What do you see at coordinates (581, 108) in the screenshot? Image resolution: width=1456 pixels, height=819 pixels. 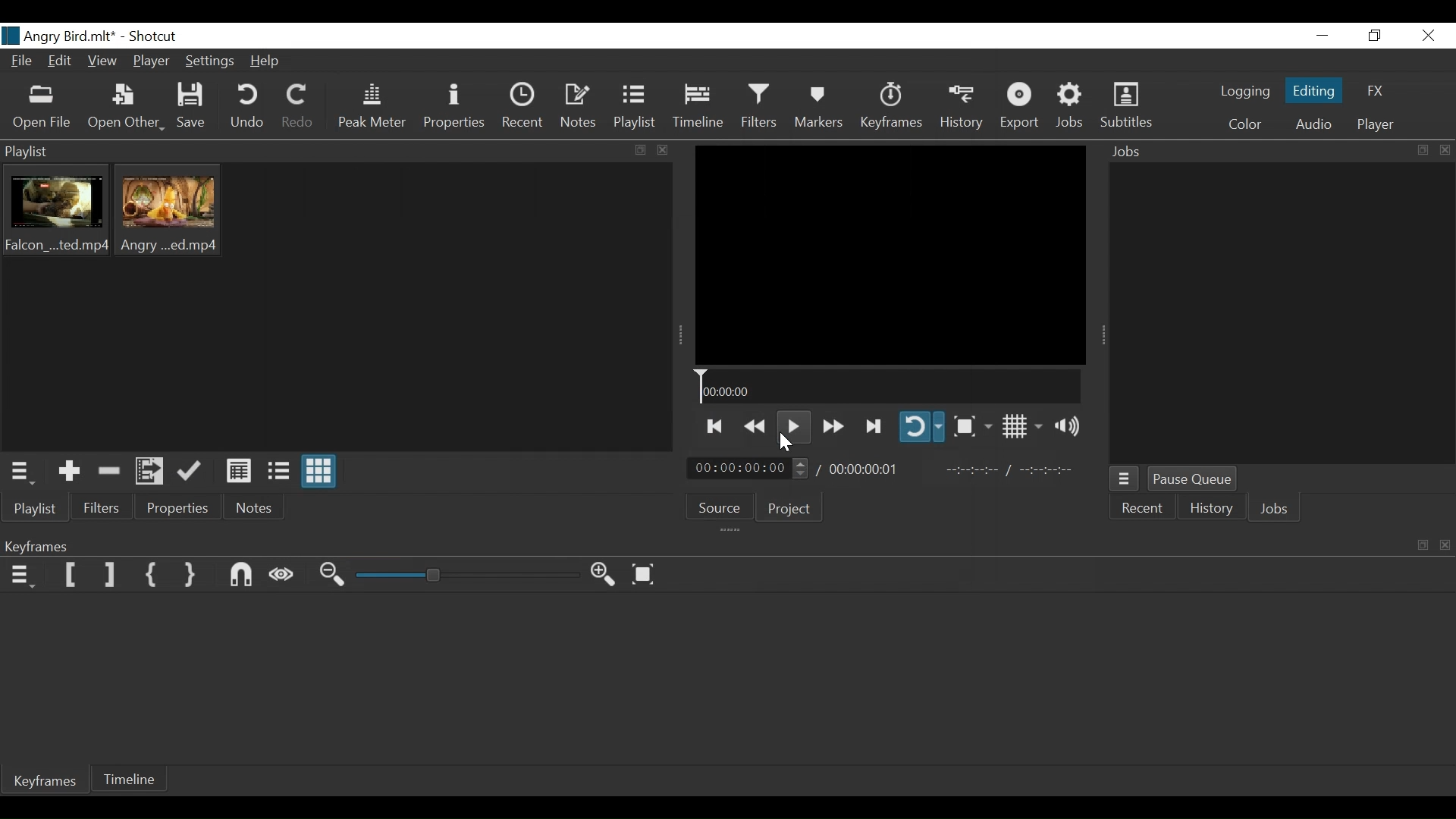 I see `Notes` at bounding box center [581, 108].